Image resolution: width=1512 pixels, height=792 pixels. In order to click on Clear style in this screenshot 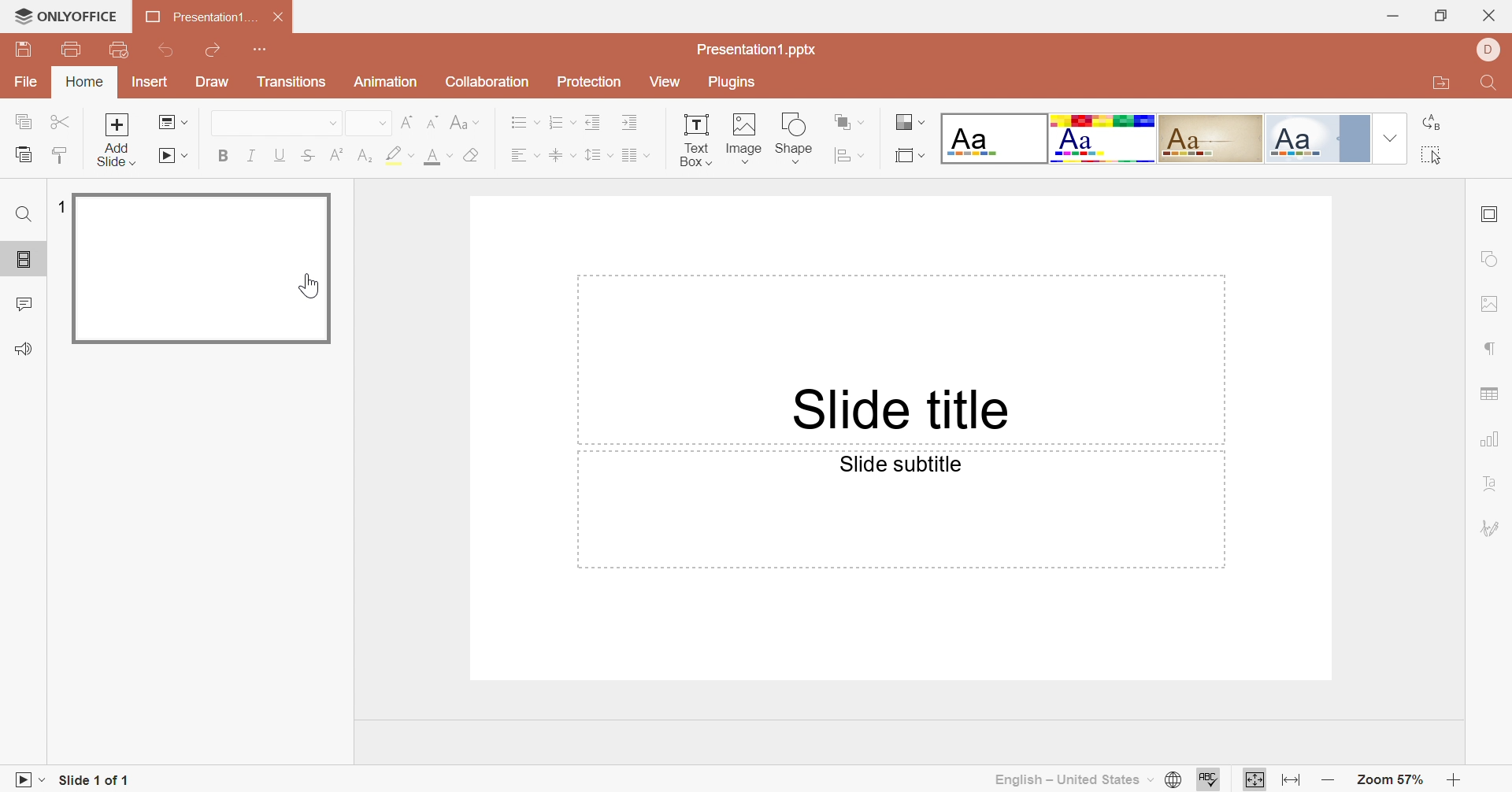, I will do `click(472, 154)`.